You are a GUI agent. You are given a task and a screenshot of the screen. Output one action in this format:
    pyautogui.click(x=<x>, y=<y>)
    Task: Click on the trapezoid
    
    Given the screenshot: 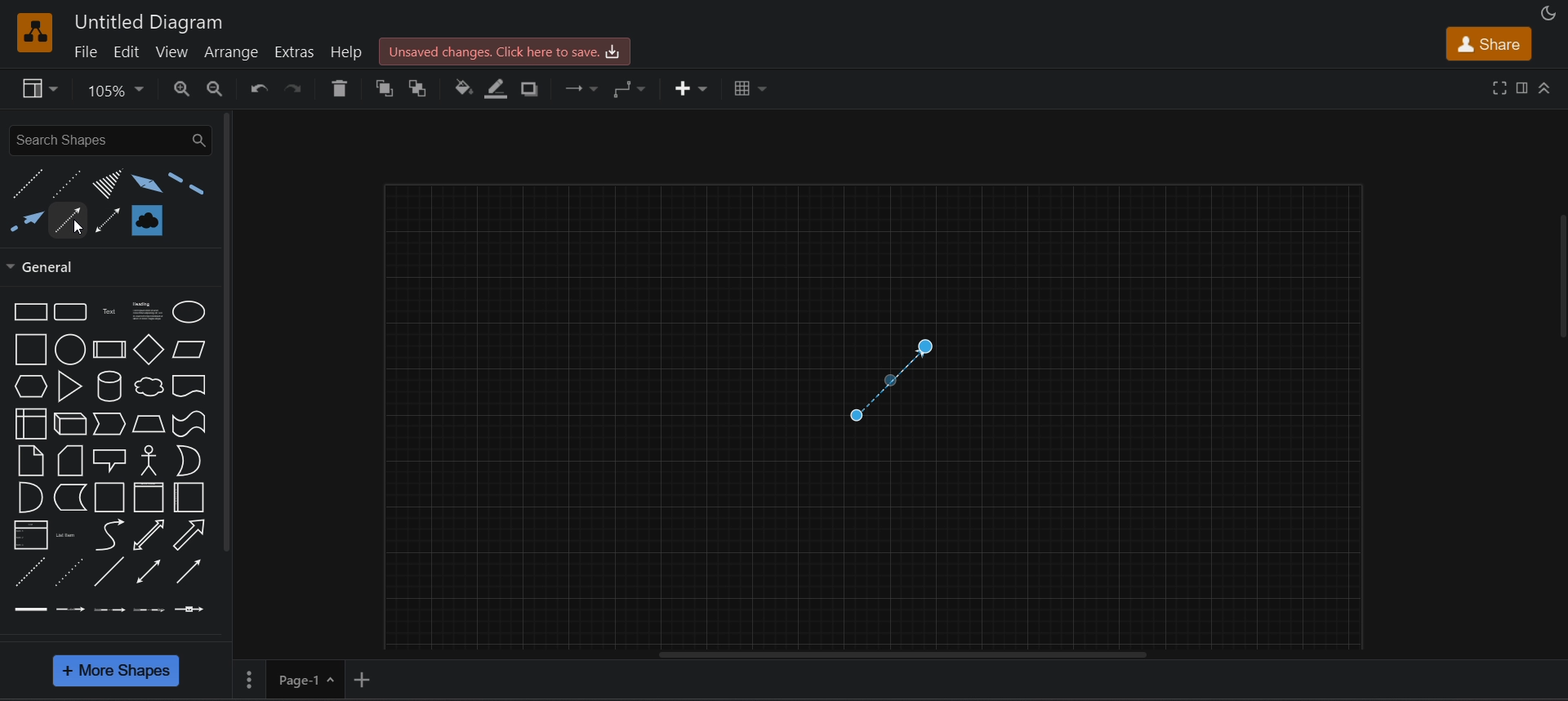 What is the action you would take?
    pyautogui.click(x=149, y=424)
    